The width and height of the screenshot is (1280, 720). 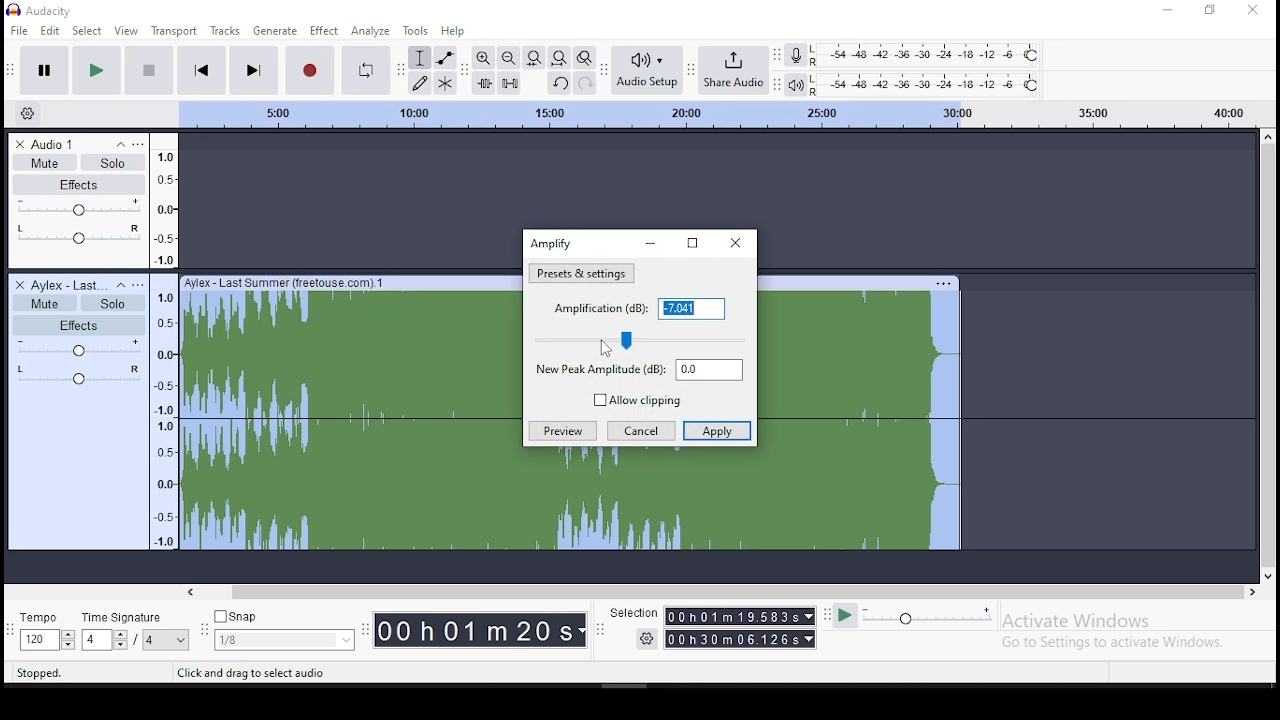 What do you see at coordinates (96, 70) in the screenshot?
I see `play` at bounding box center [96, 70].